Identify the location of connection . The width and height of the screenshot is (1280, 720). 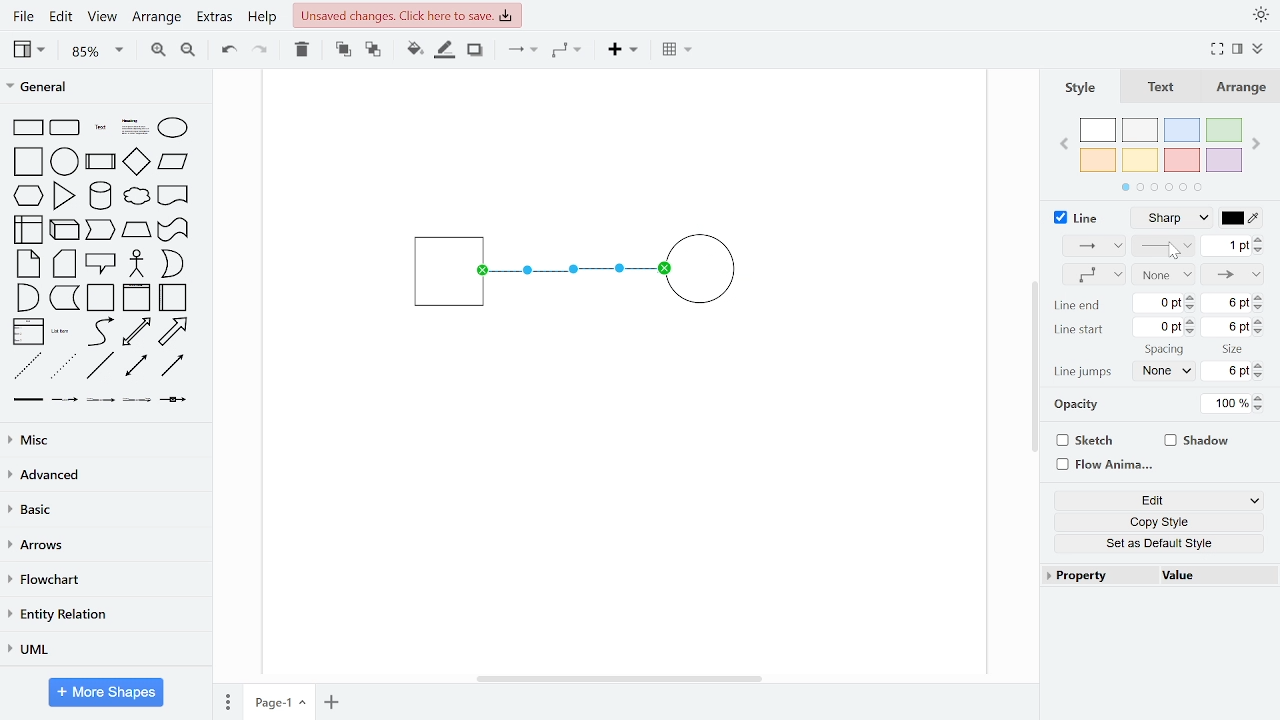
(1092, 245).